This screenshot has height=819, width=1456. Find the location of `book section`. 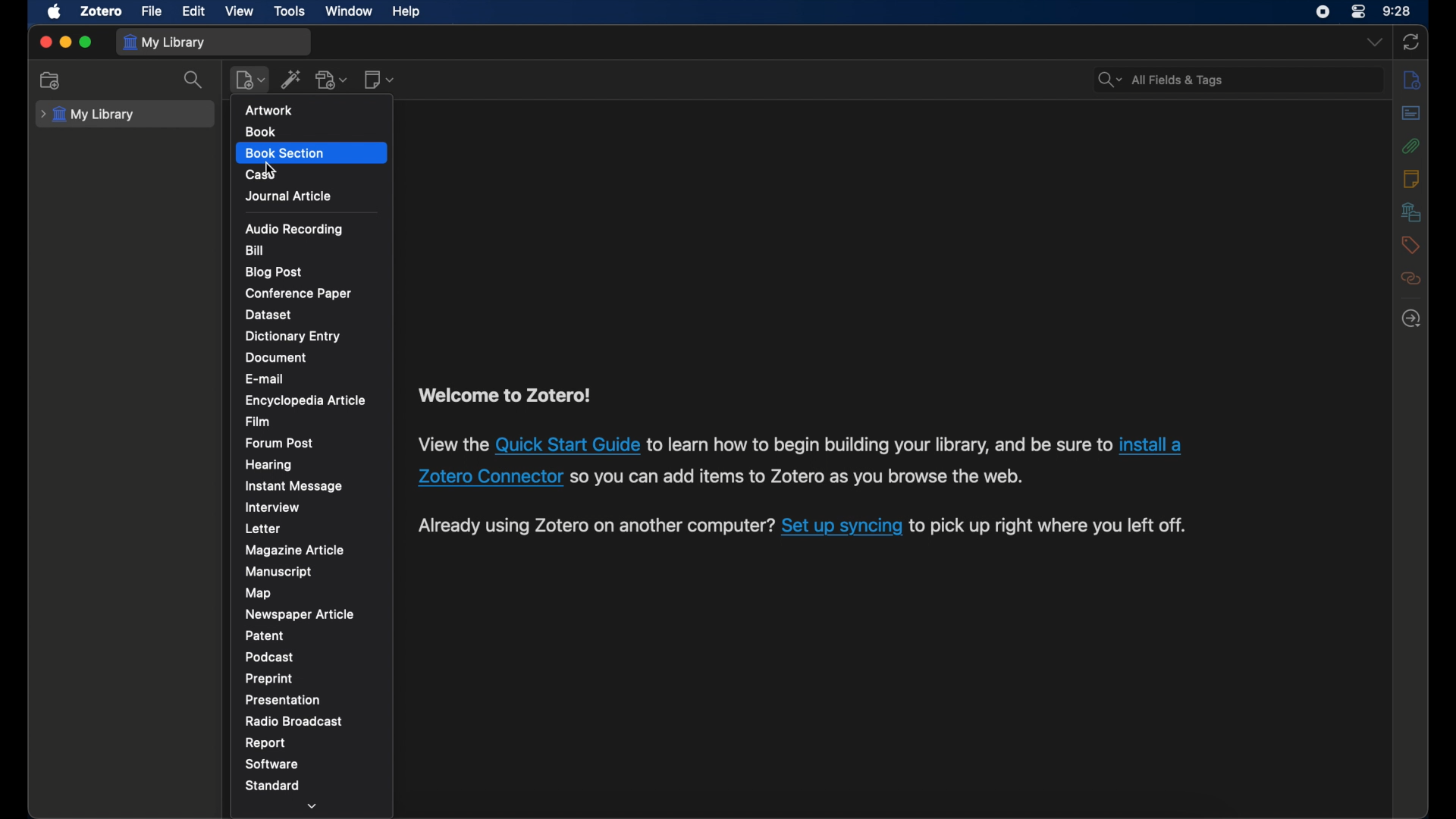

book section is located at coordinates (284, 154).